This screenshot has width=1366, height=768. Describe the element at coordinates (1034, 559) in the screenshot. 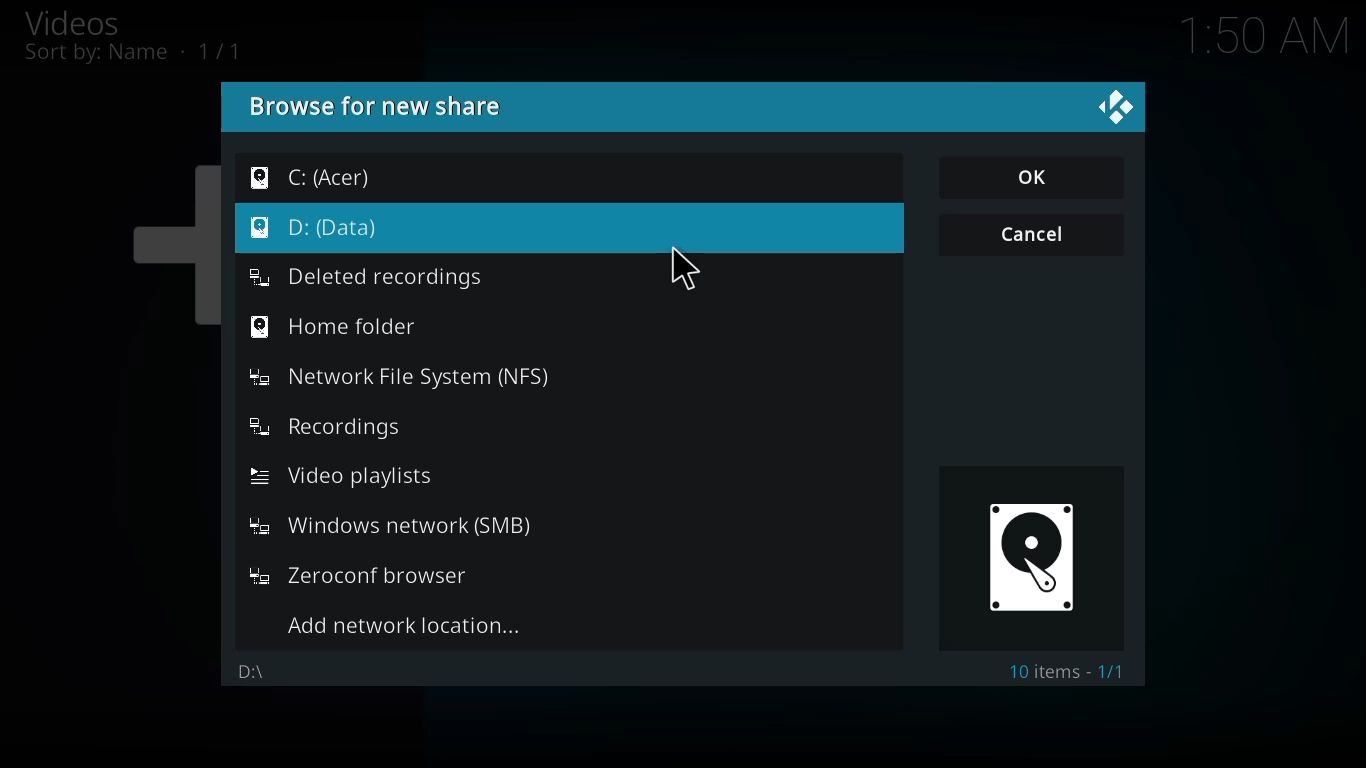

I see `drive` at that location.